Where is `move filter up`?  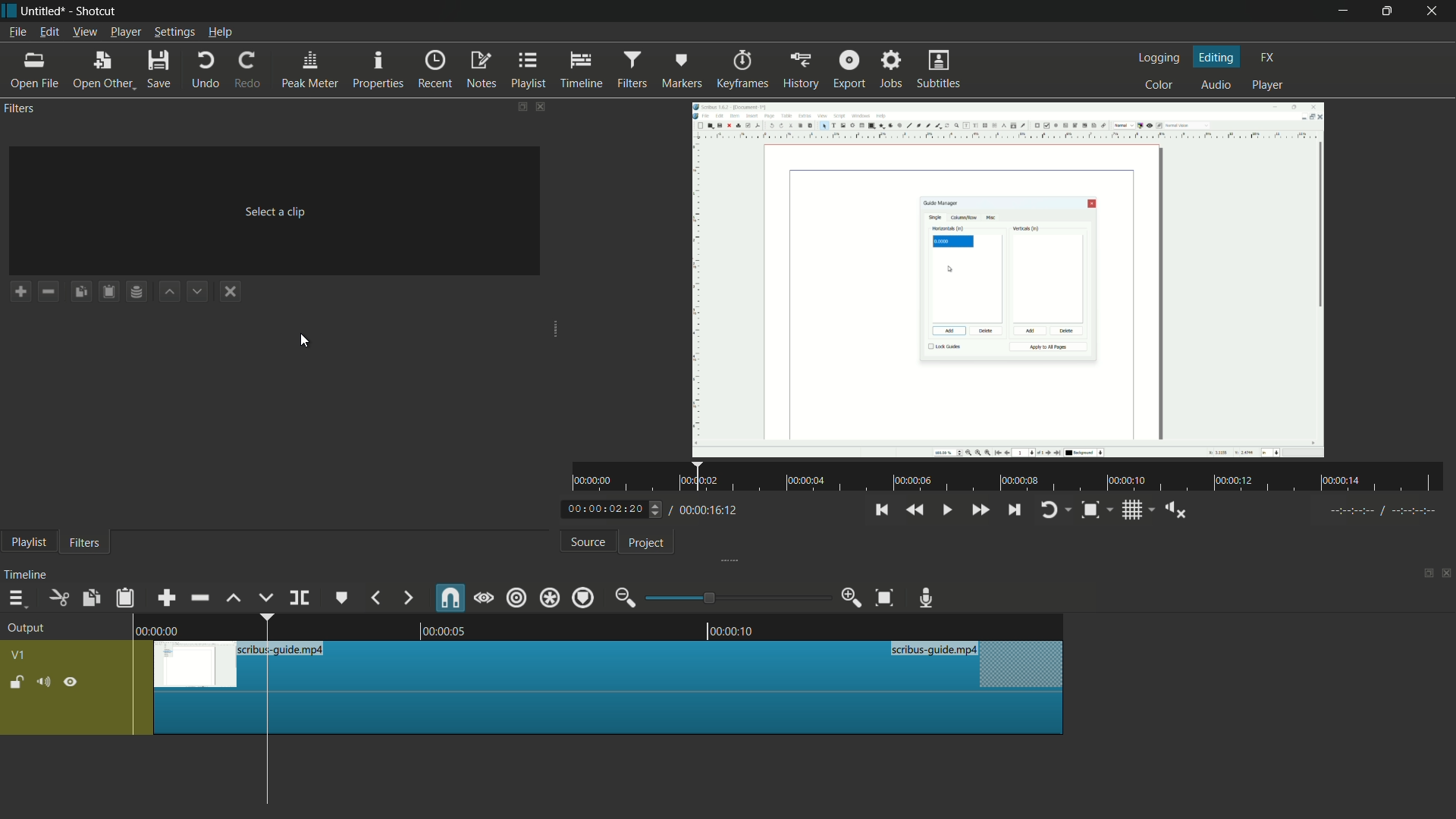
move filter up is located at coordinates (168, 291).